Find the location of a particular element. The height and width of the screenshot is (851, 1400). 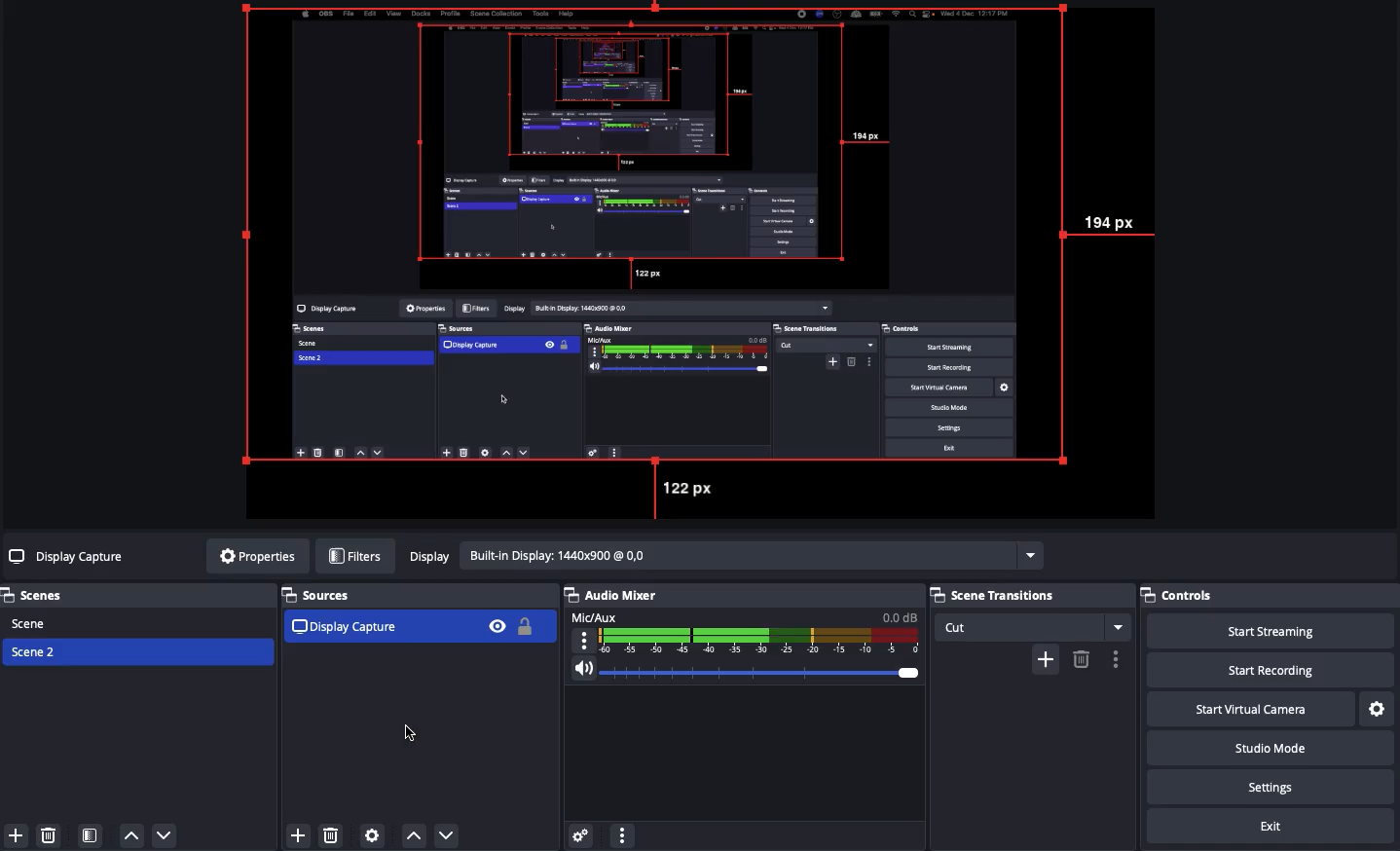

delete is located at coordinates (1081, 658).